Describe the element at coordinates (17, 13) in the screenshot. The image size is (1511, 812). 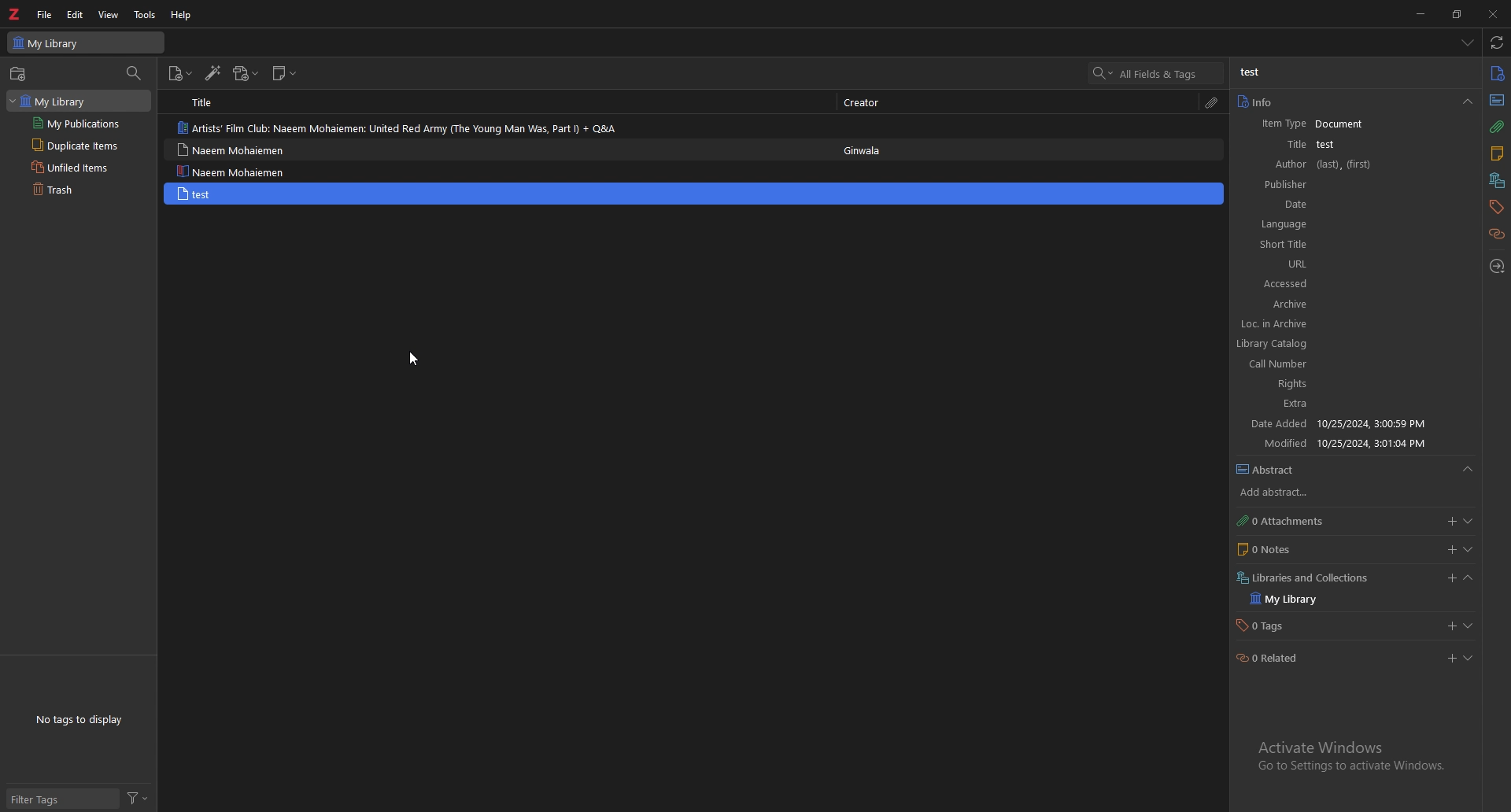
I see `zotero` at that location.